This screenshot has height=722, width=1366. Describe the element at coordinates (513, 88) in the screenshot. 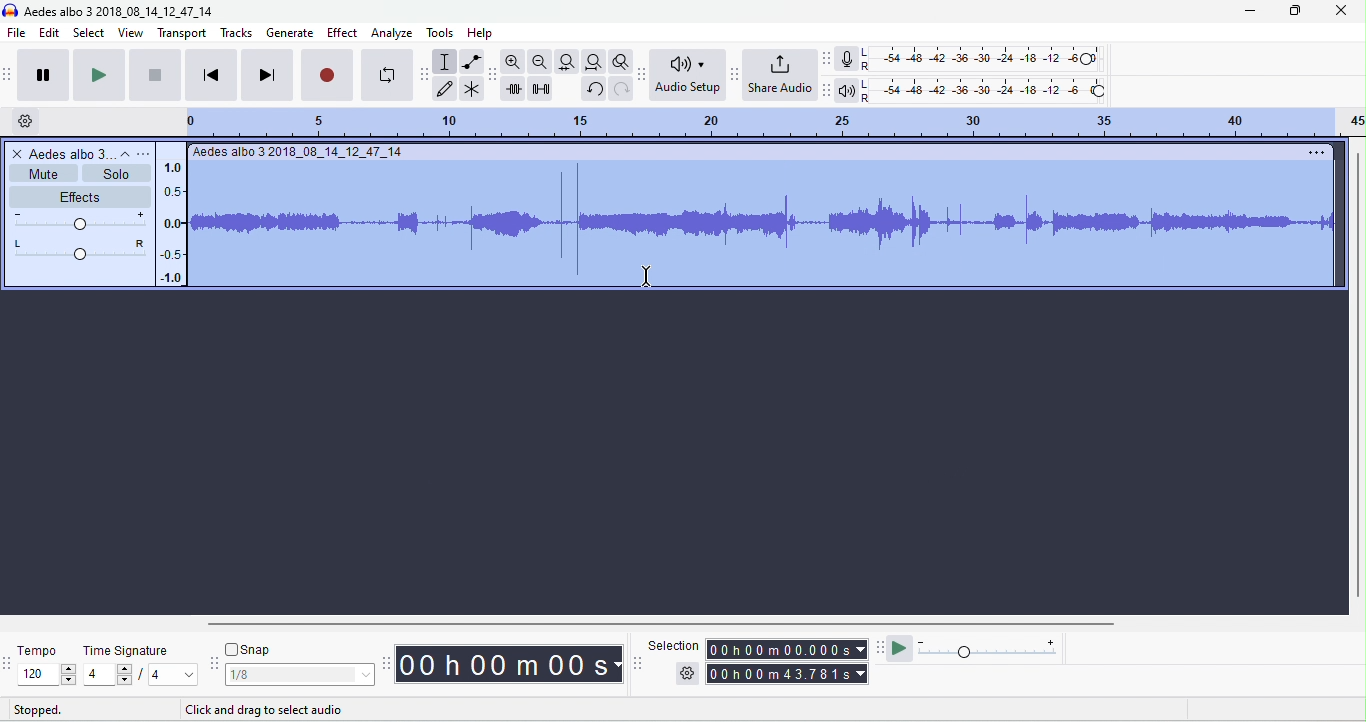

I see `trim outside selection` at that location.